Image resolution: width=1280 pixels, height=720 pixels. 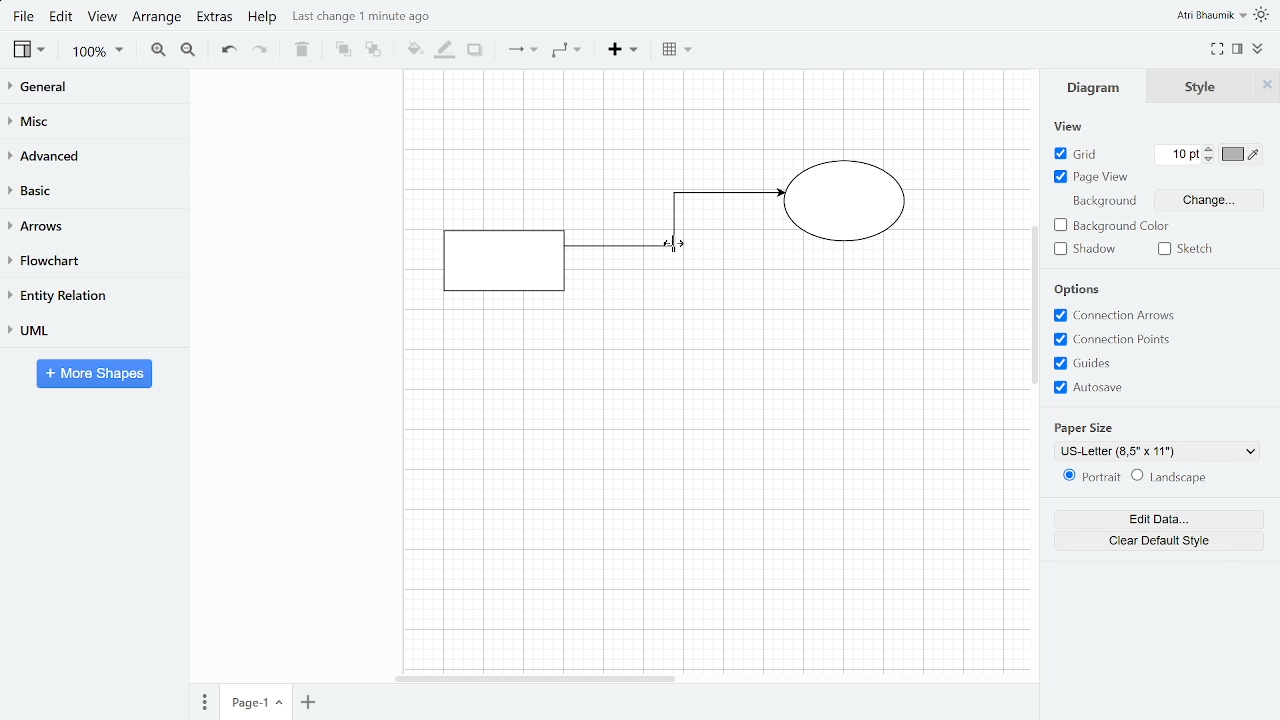 What do you see at coordinates (90, 330) in the screenshot?
I see `UML` at bounding box center [90, 330].